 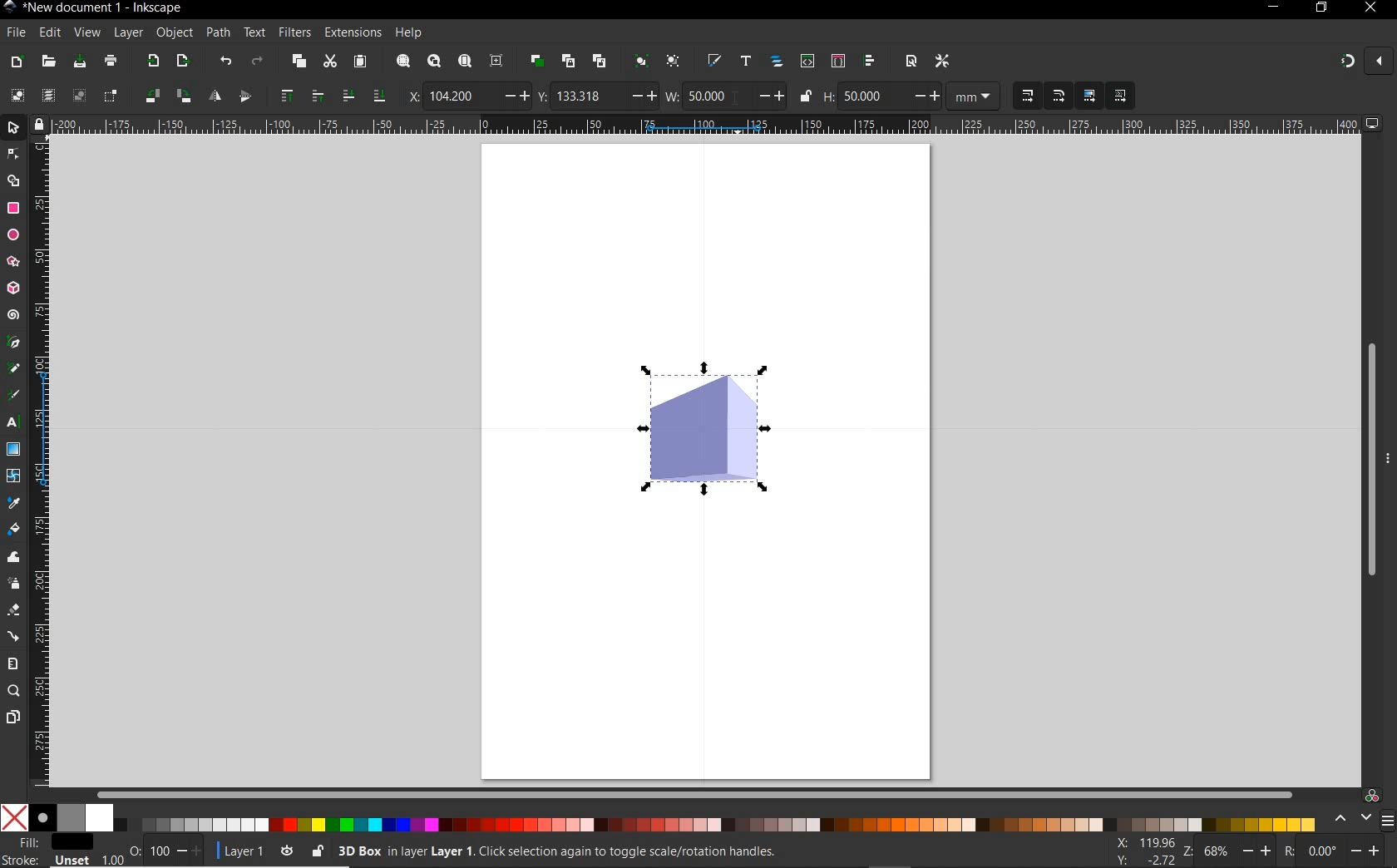 What do you see at coordinates (351, 33) in the screenshot?
I see `extensions` at bounding box center [351, 33].